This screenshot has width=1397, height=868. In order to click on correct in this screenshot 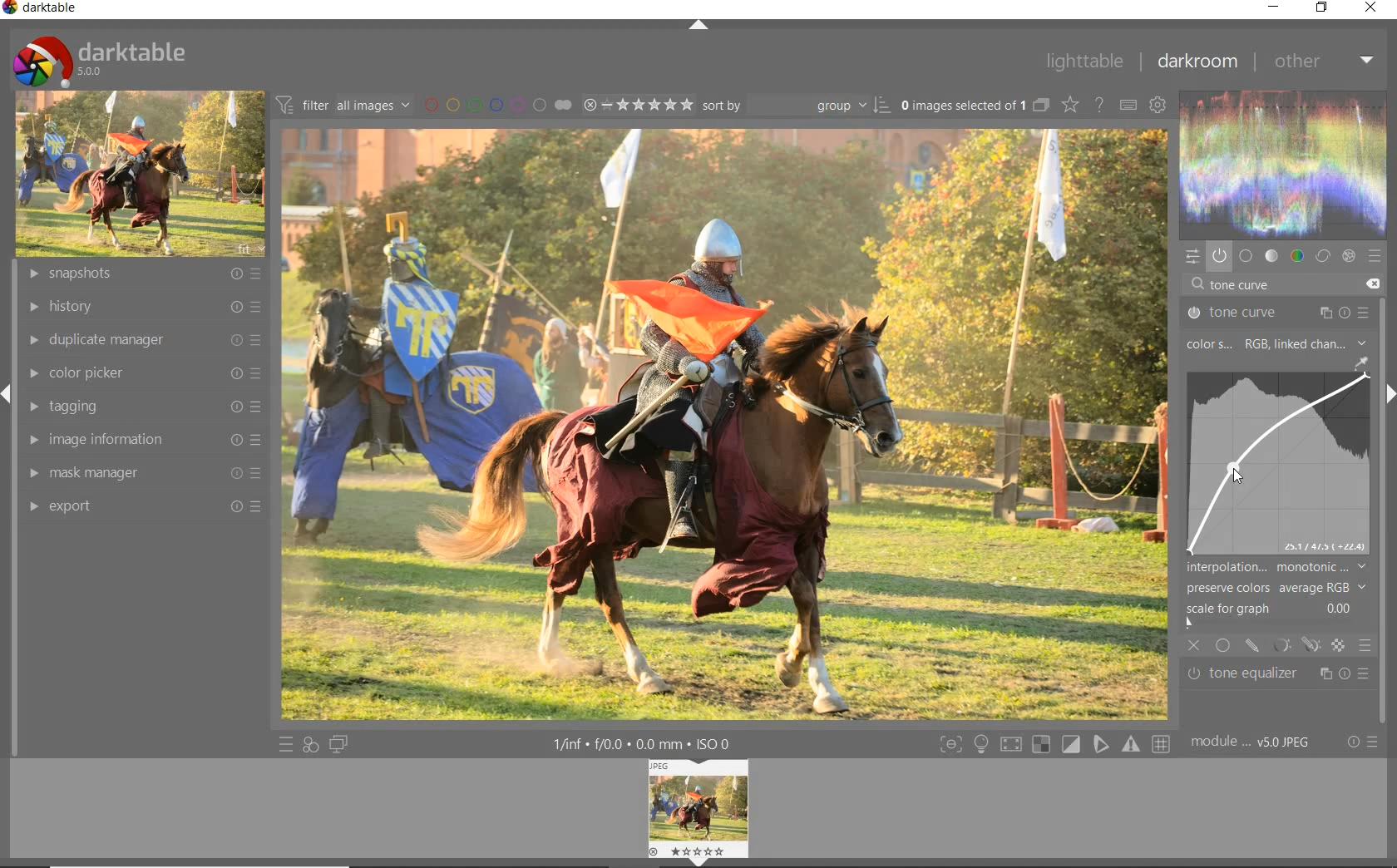, I will do `click(1323, 256)`.